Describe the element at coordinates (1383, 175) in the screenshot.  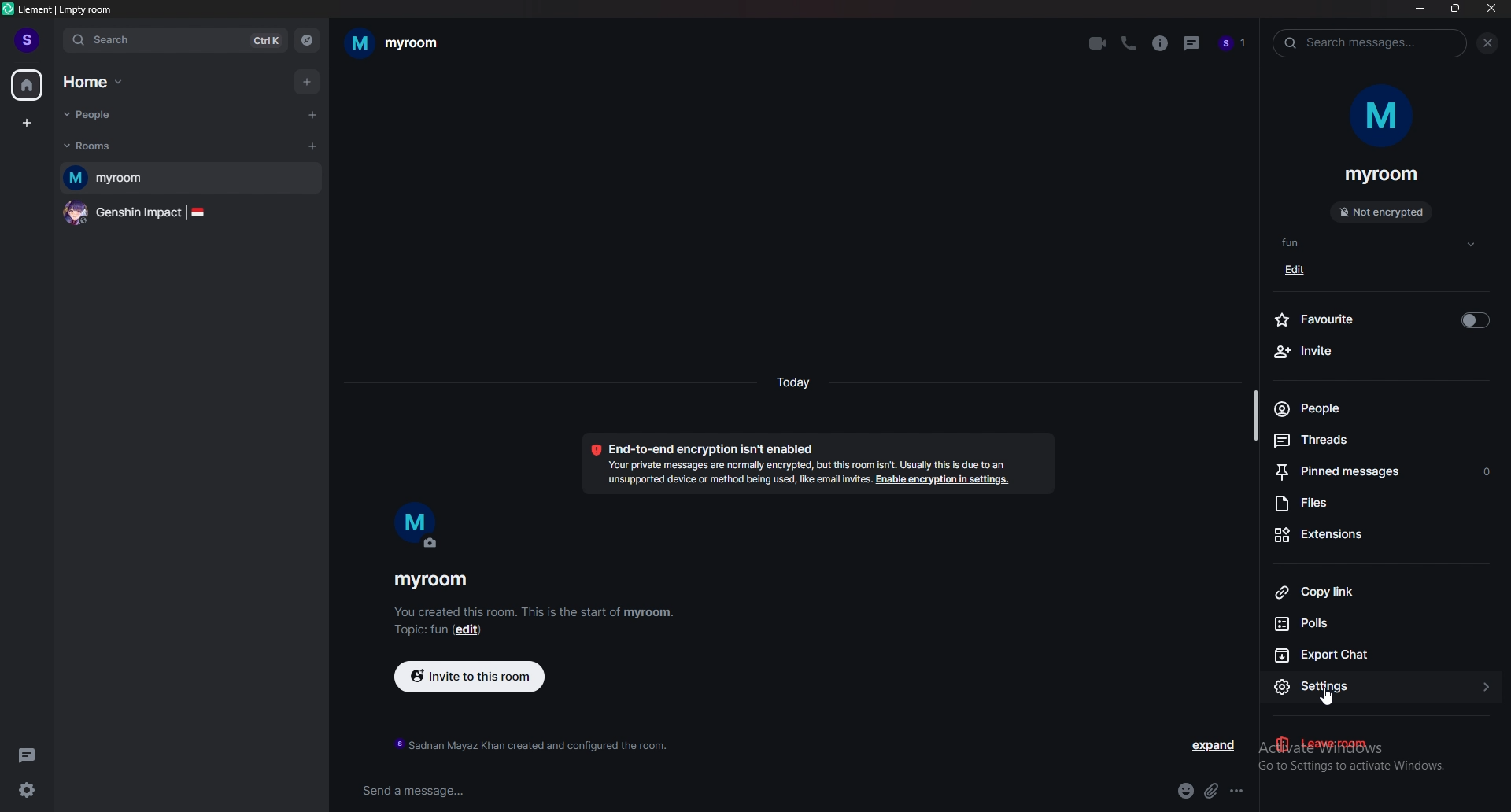
I see `myroom` at that location.